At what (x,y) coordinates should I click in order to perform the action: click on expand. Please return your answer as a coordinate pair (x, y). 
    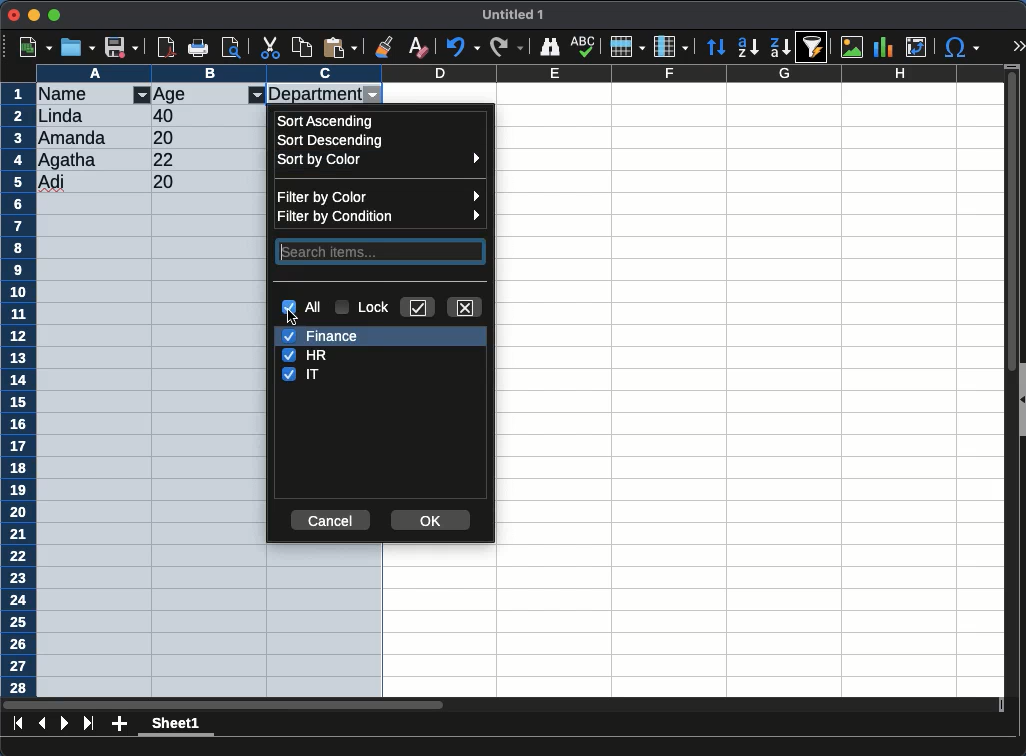
    Looking at the image, I should click on (1018, 48).